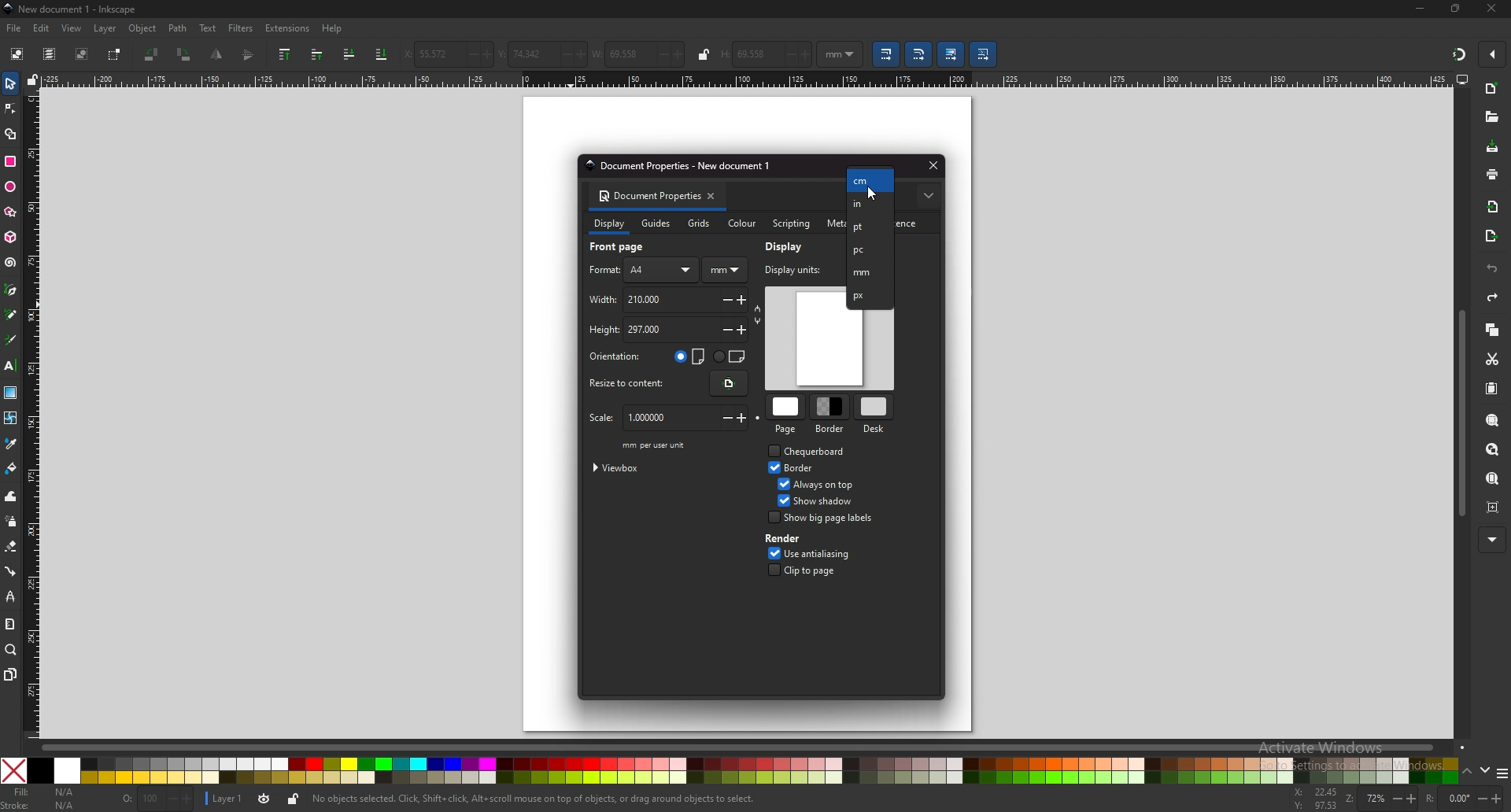 This screenshot has width=1511, height=812. What do you see at coordinates (1493, 389) in the screenshot?
I see `paste` at bounding box center [1493, 389].